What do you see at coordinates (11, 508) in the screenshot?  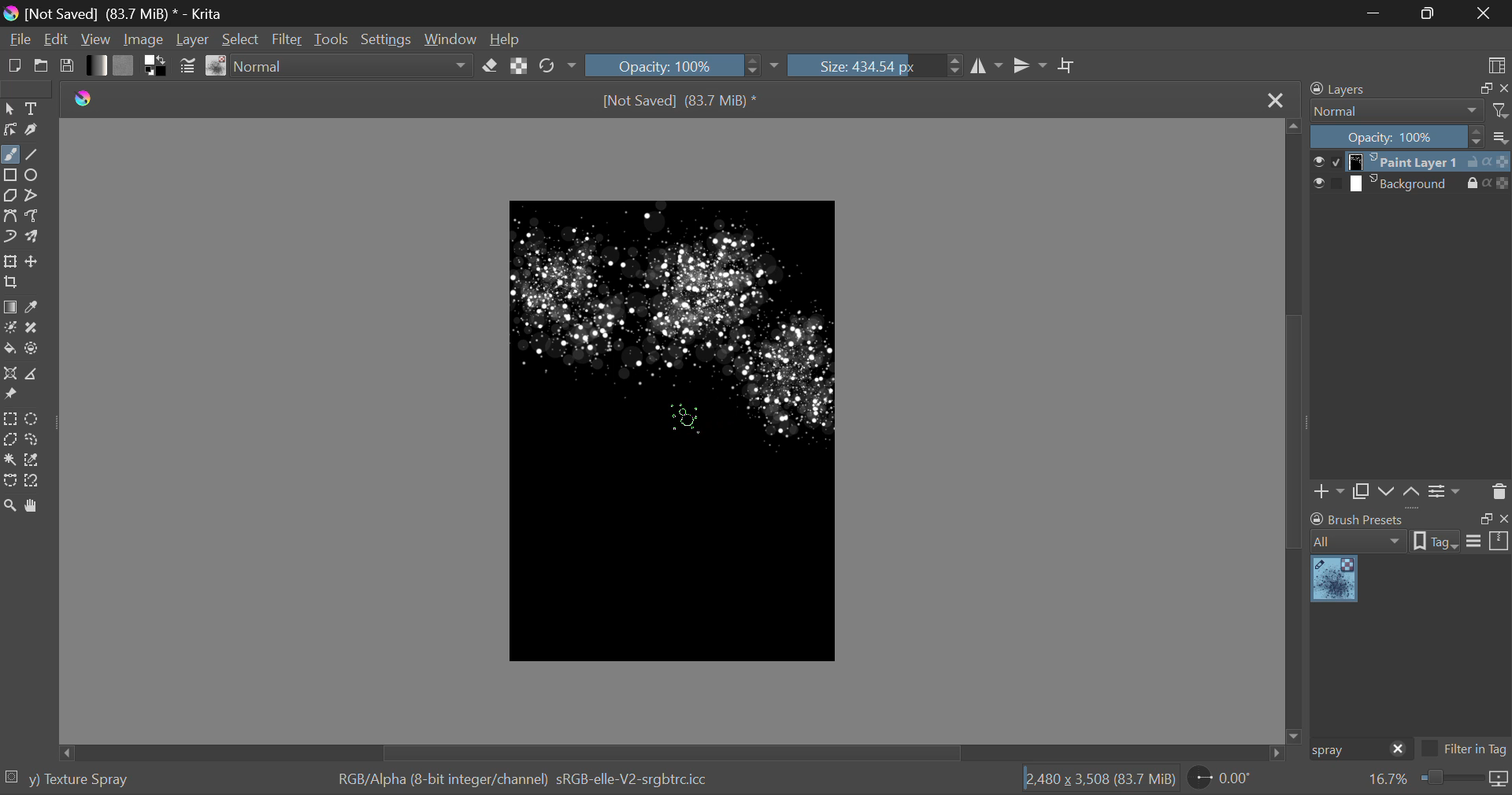 I see `Zoom` at bounding box center [11, 508].